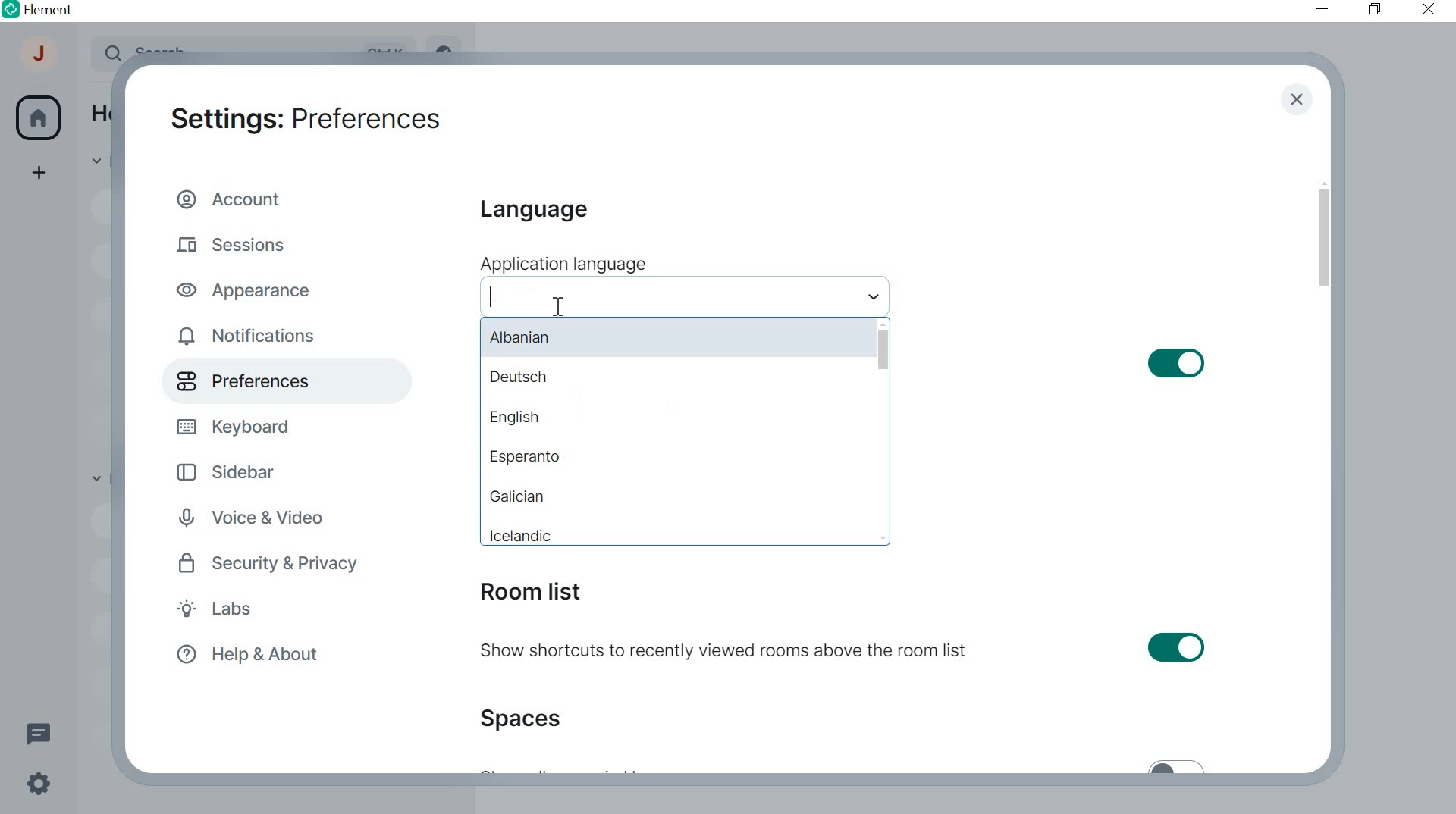 The width and height of the screenshot is (1456, 814). I want to click on Spaces, so click(526, 718).